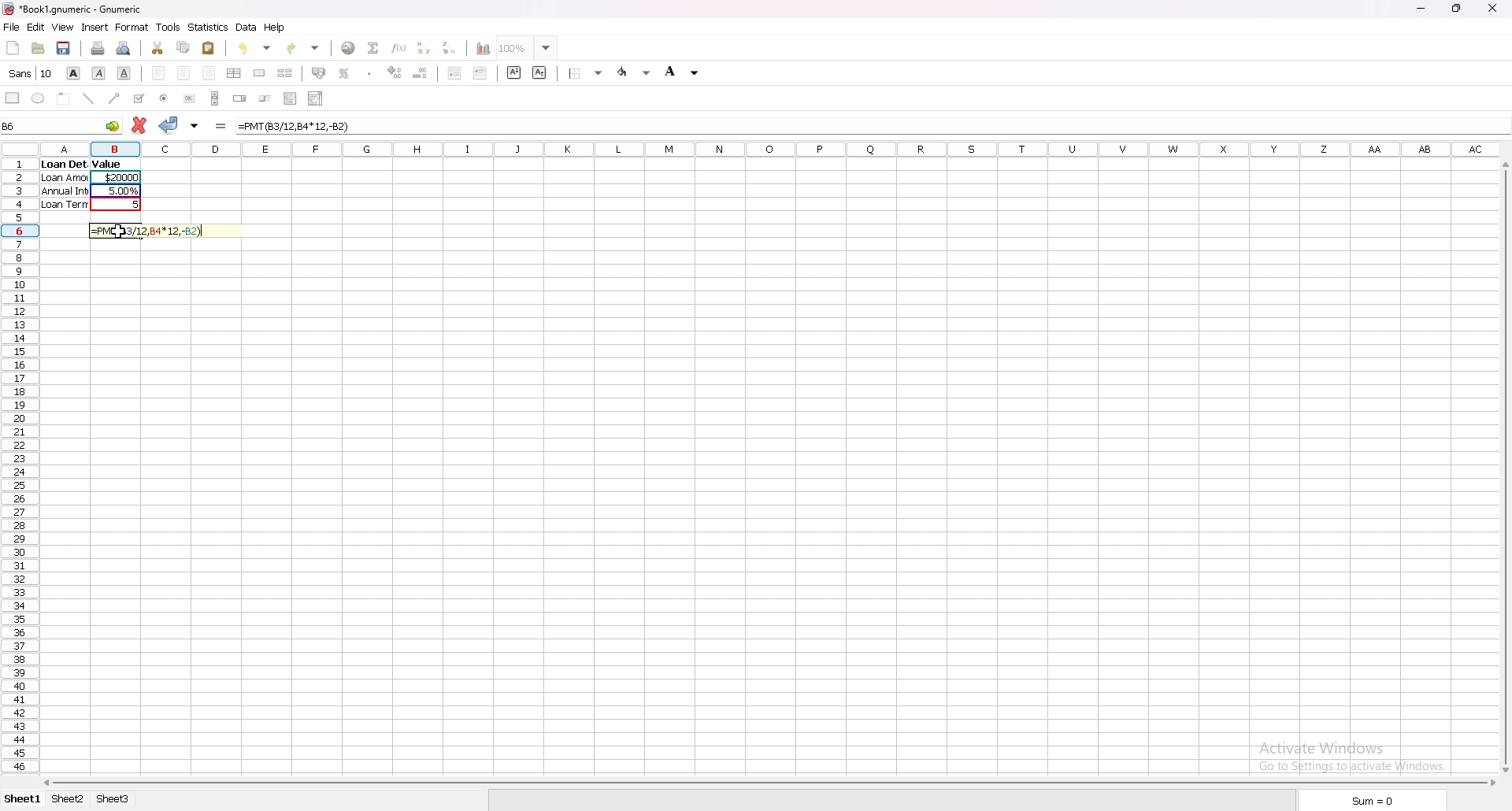 This screenshot has height=811, width=1512. Describe the element at coordinates (209, 72) in the screenshot. I see `right align` at that location.